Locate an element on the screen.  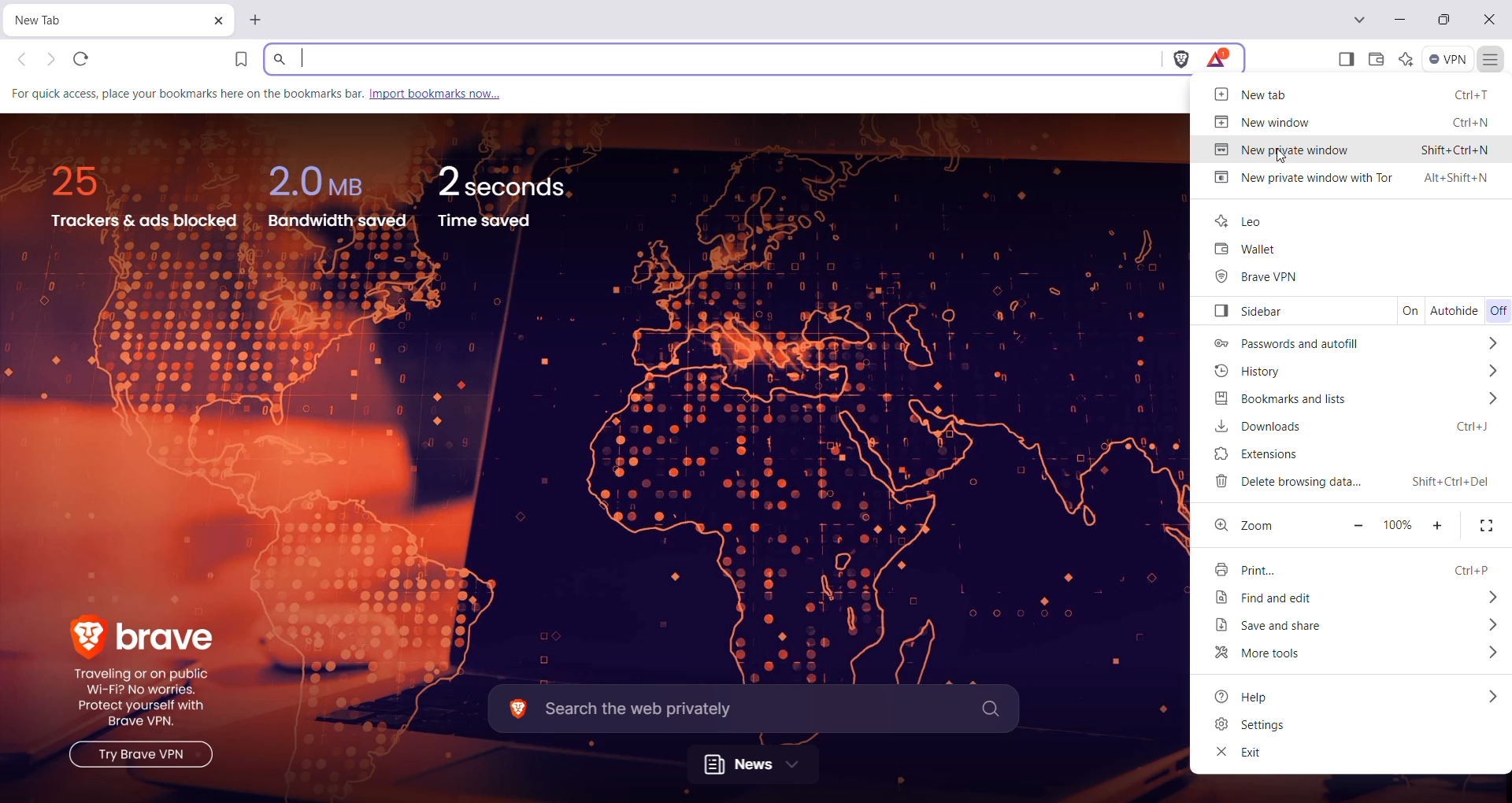
for quick access place your bookmarks here on the bookmark bar. import bookmark now is located at coordinates (281, 94).